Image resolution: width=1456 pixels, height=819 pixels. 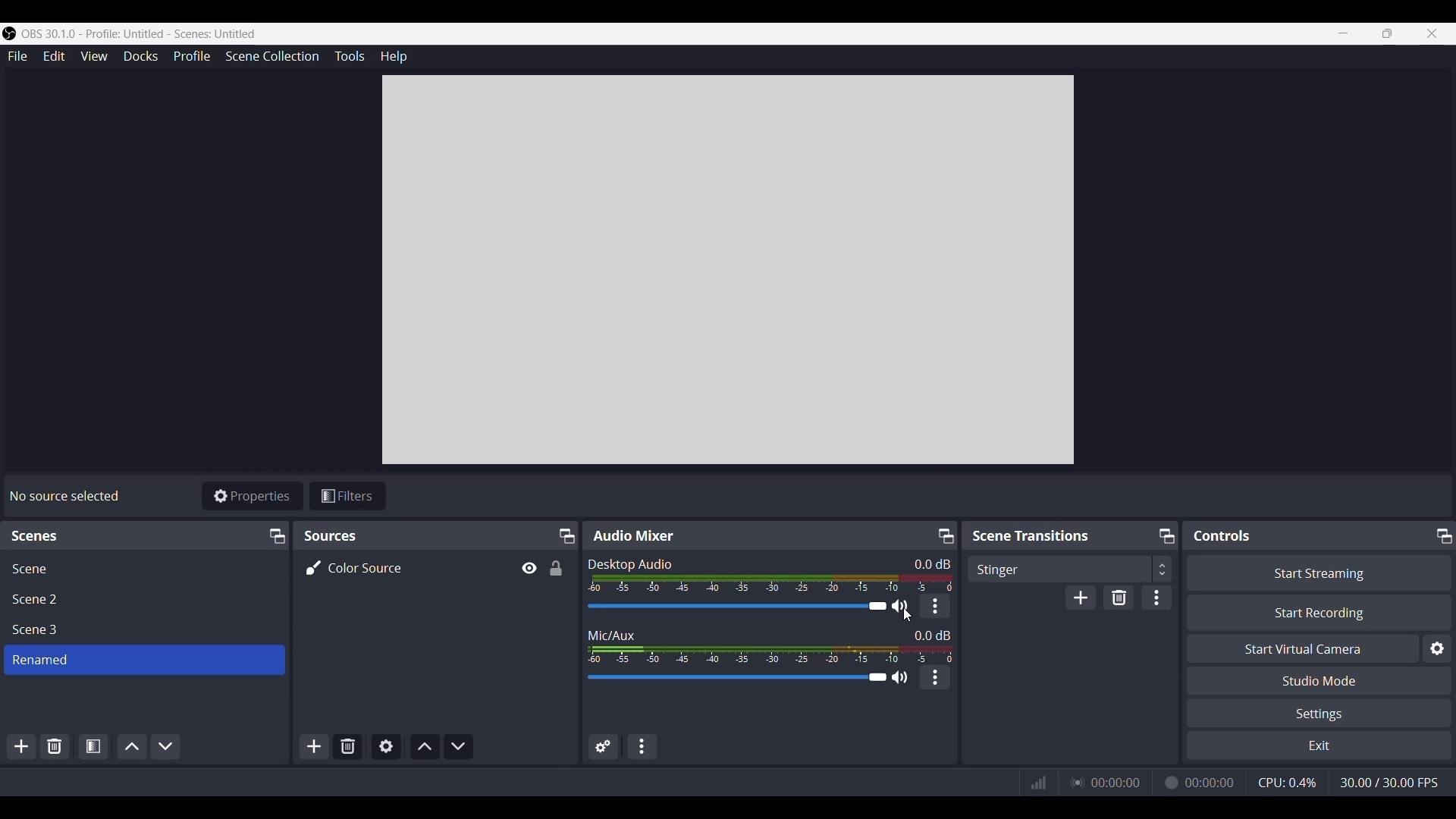 I want to click on View/Hide source on canvas, so click(x=528, y=568).